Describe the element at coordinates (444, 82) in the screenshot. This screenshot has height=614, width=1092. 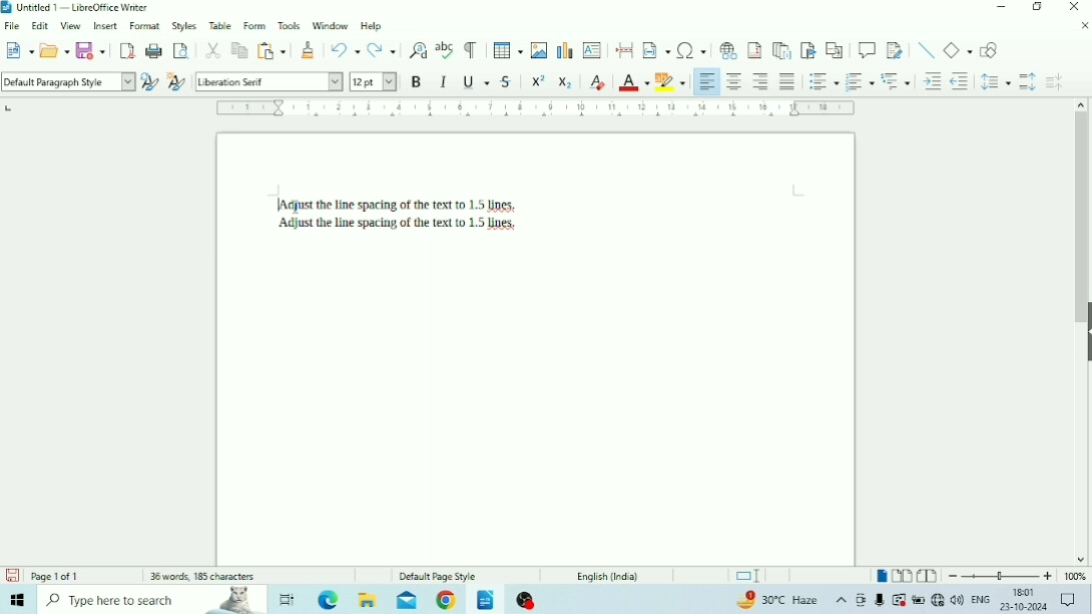
I see `Italic` at that location.